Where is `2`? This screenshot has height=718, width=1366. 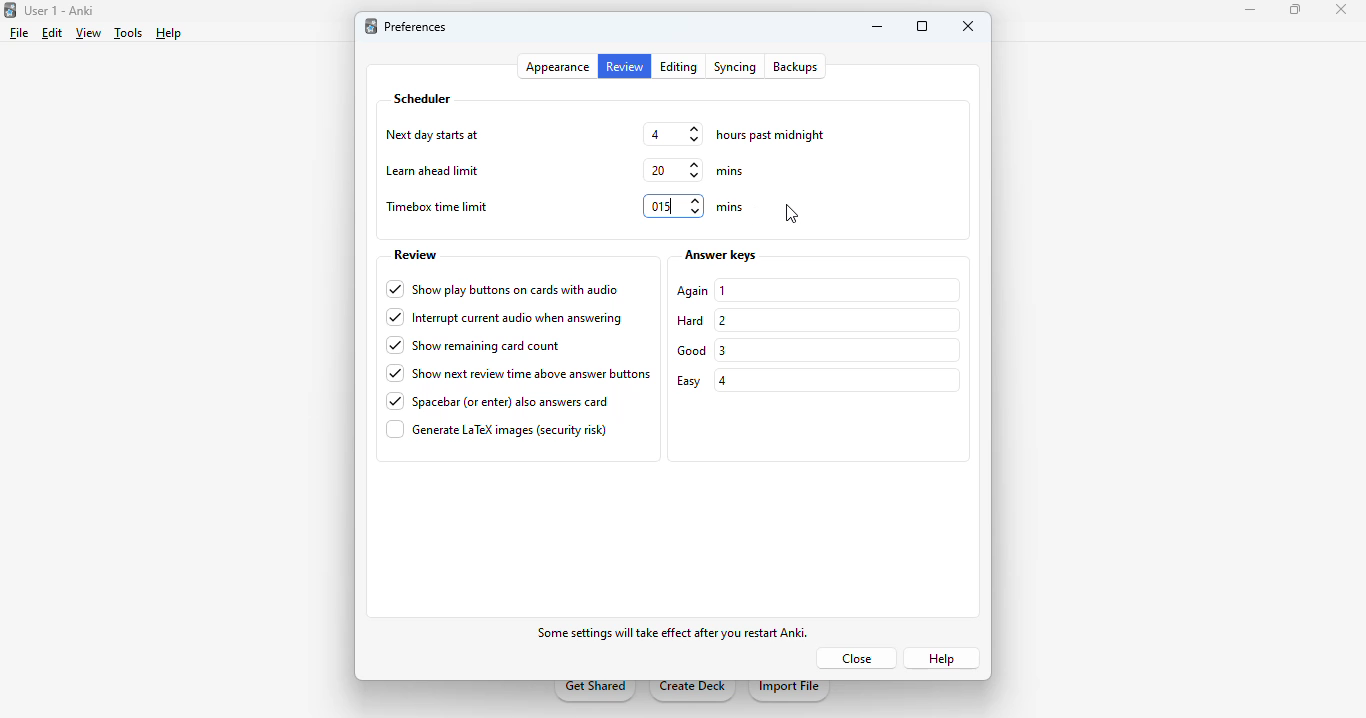 2 is located at coordinates (722, 320).